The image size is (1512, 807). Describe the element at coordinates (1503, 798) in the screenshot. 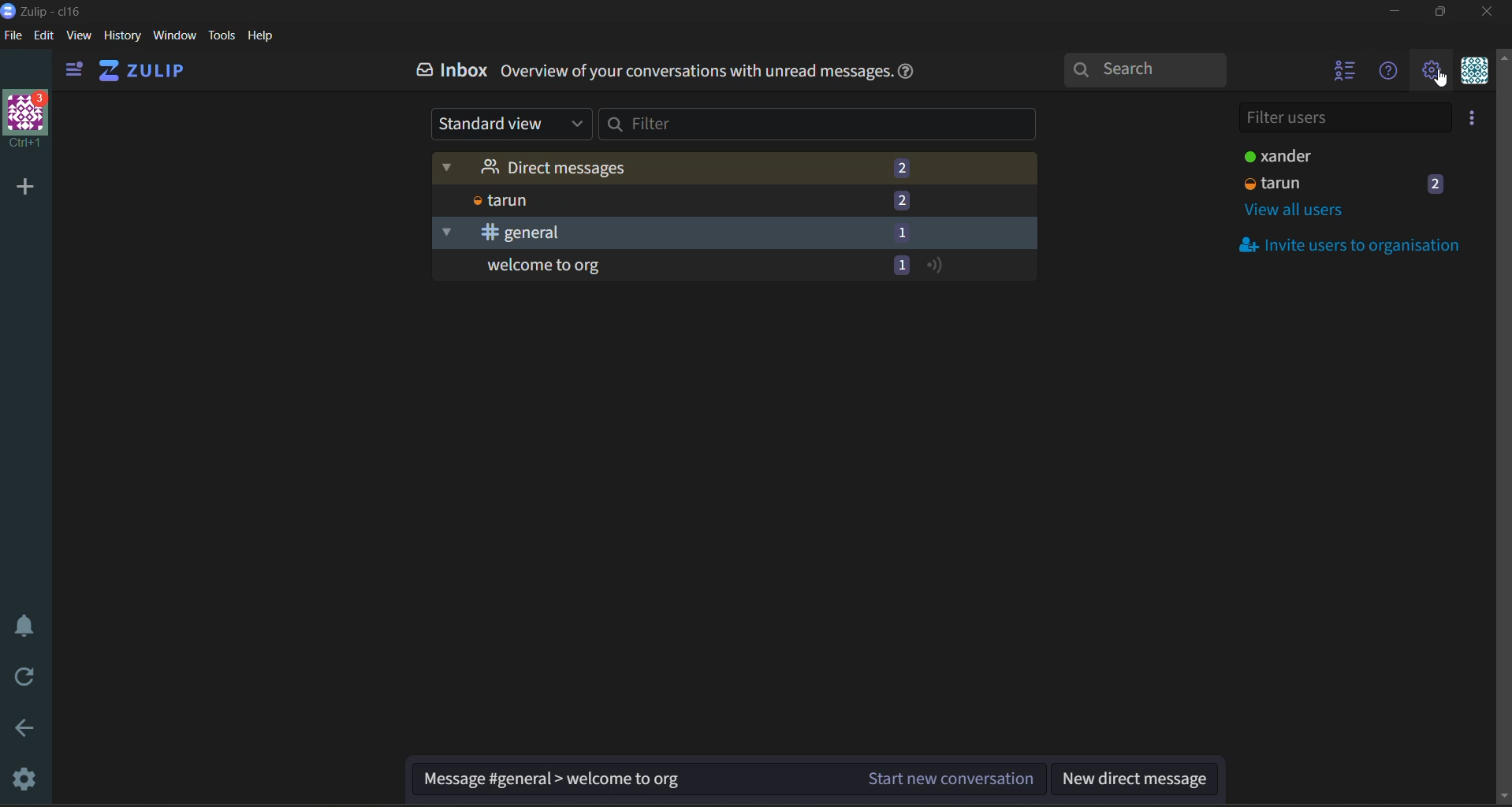

I see `scroll down` at that location.